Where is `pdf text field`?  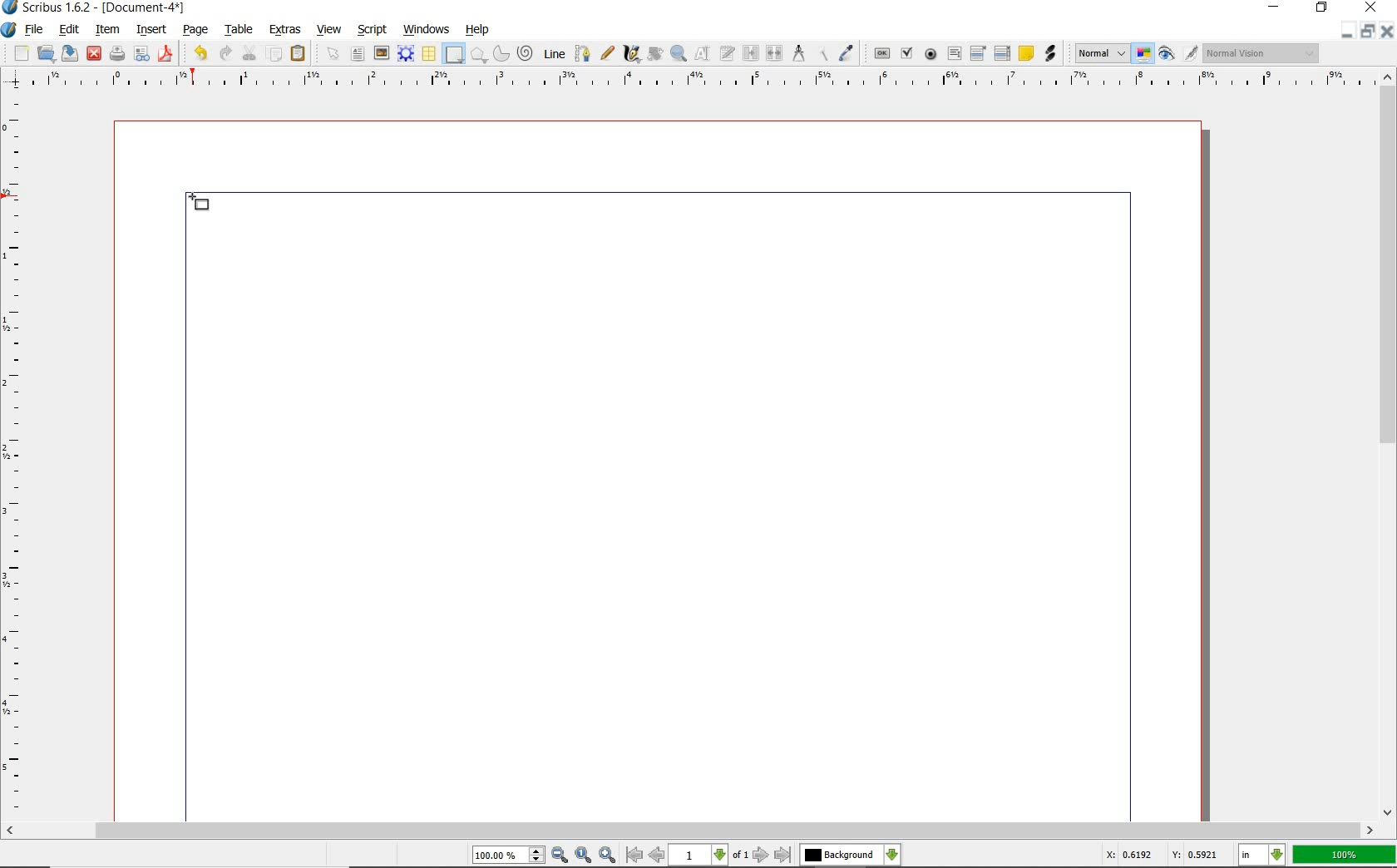 pdf text field is located at coordinates (954, 53).